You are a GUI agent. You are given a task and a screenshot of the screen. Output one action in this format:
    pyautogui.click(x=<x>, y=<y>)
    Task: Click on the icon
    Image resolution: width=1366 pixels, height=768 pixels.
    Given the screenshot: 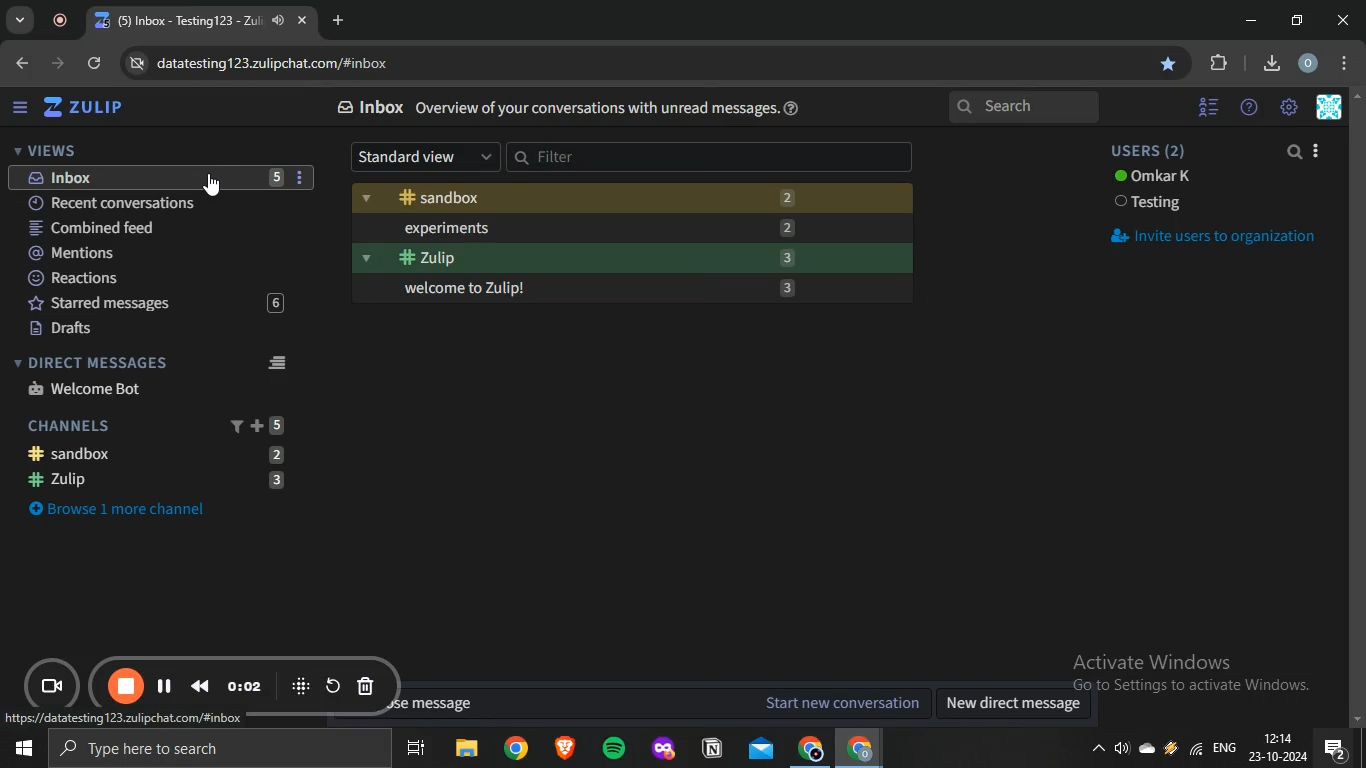 What is the action you would take?
    pyautogui.click(x=55, y=688)
    